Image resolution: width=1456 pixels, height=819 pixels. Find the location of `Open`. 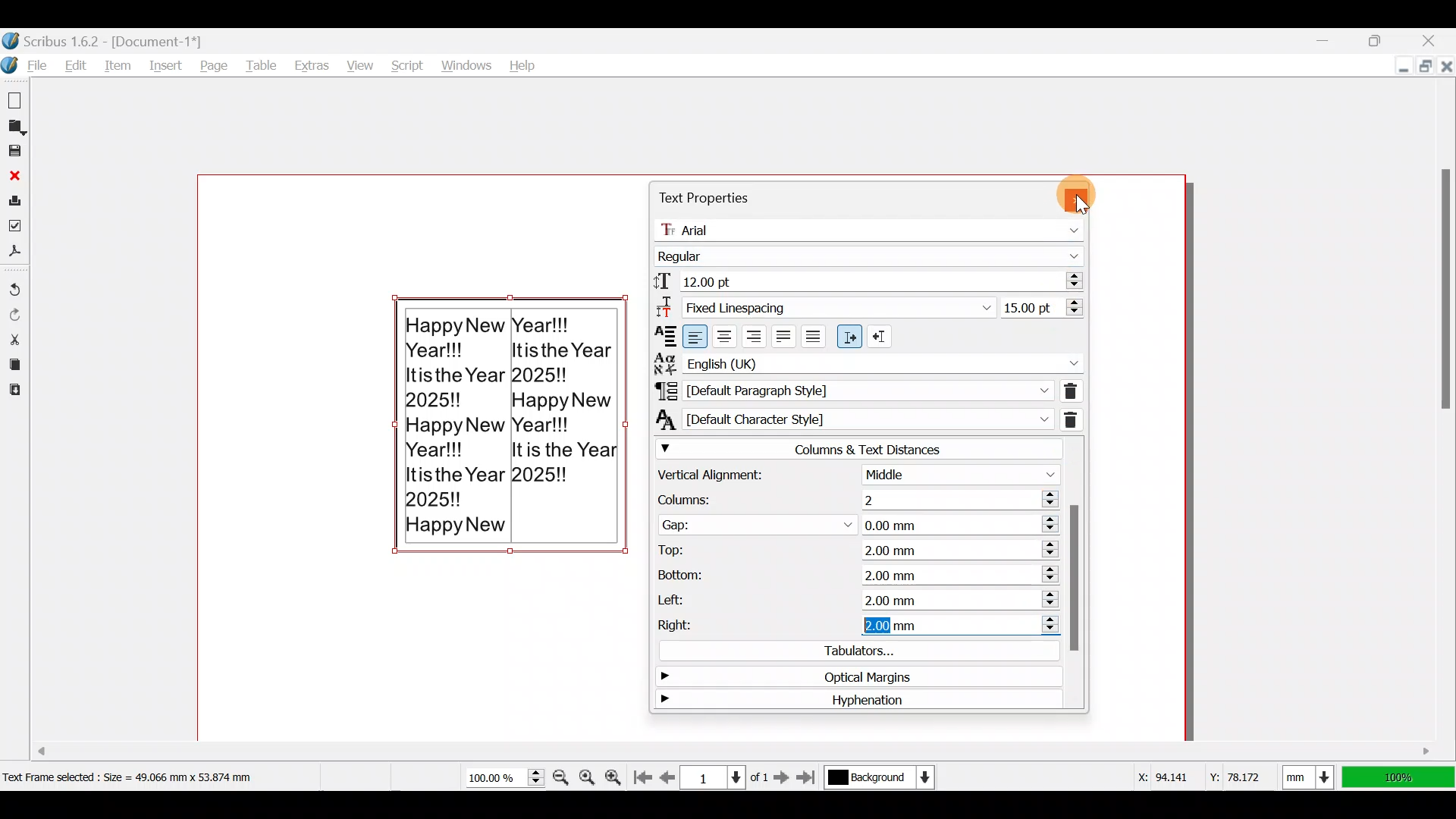

Open is located at coordinates (17, 127).